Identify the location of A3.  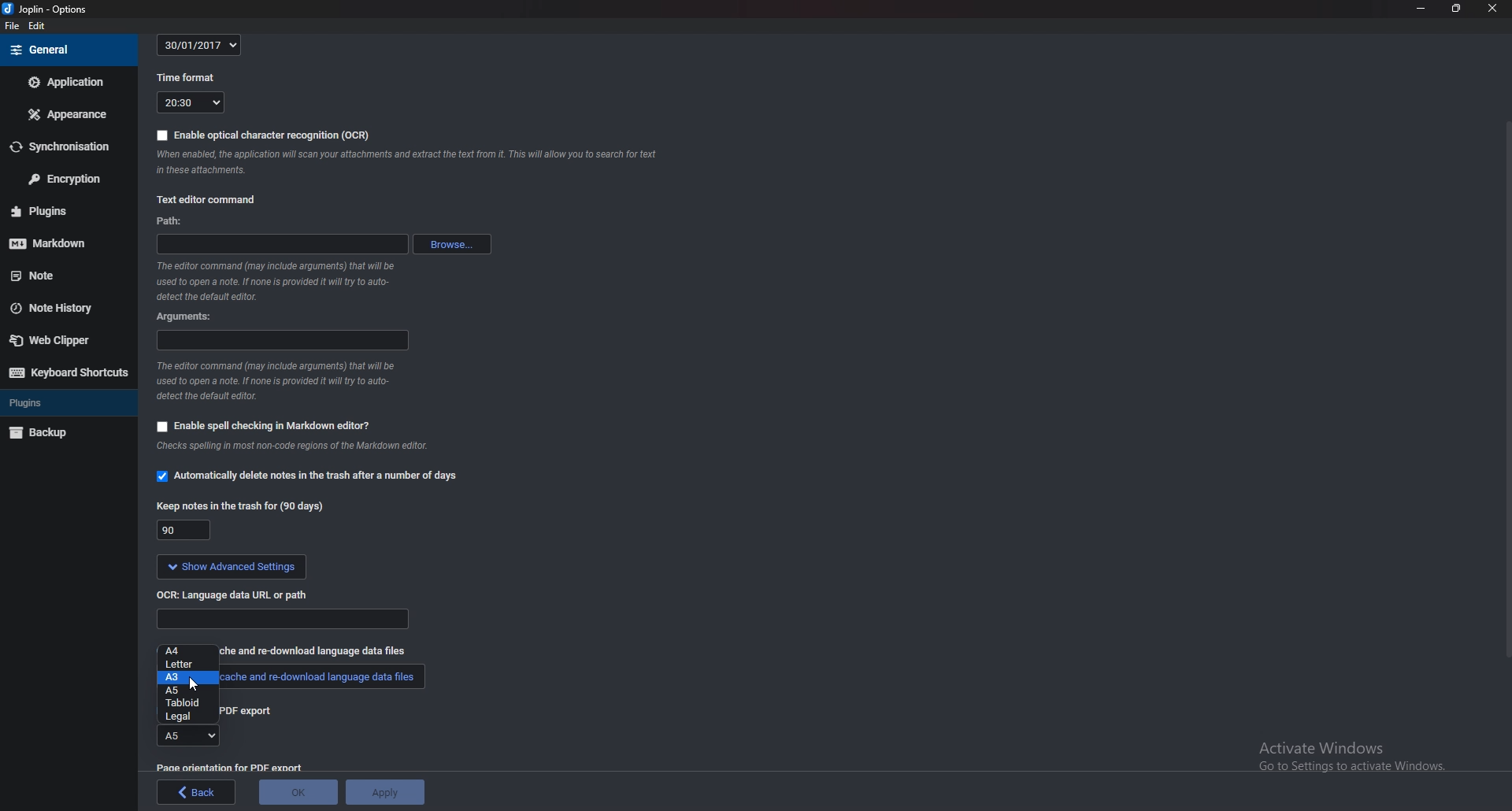
(190, 677).